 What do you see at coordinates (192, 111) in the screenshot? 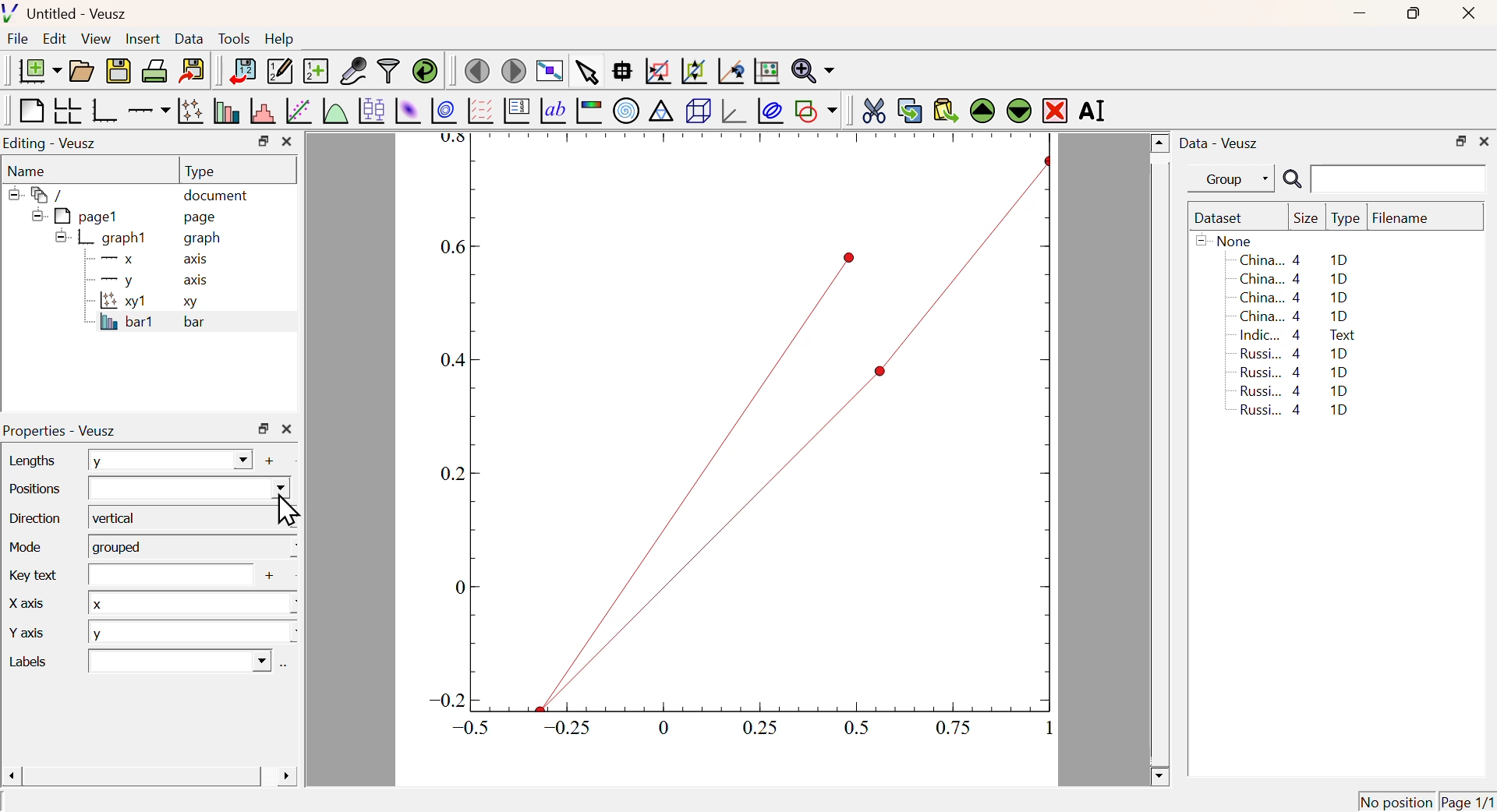
I see `Plot points with lines and errorbars` at bounding box center [192, 111].